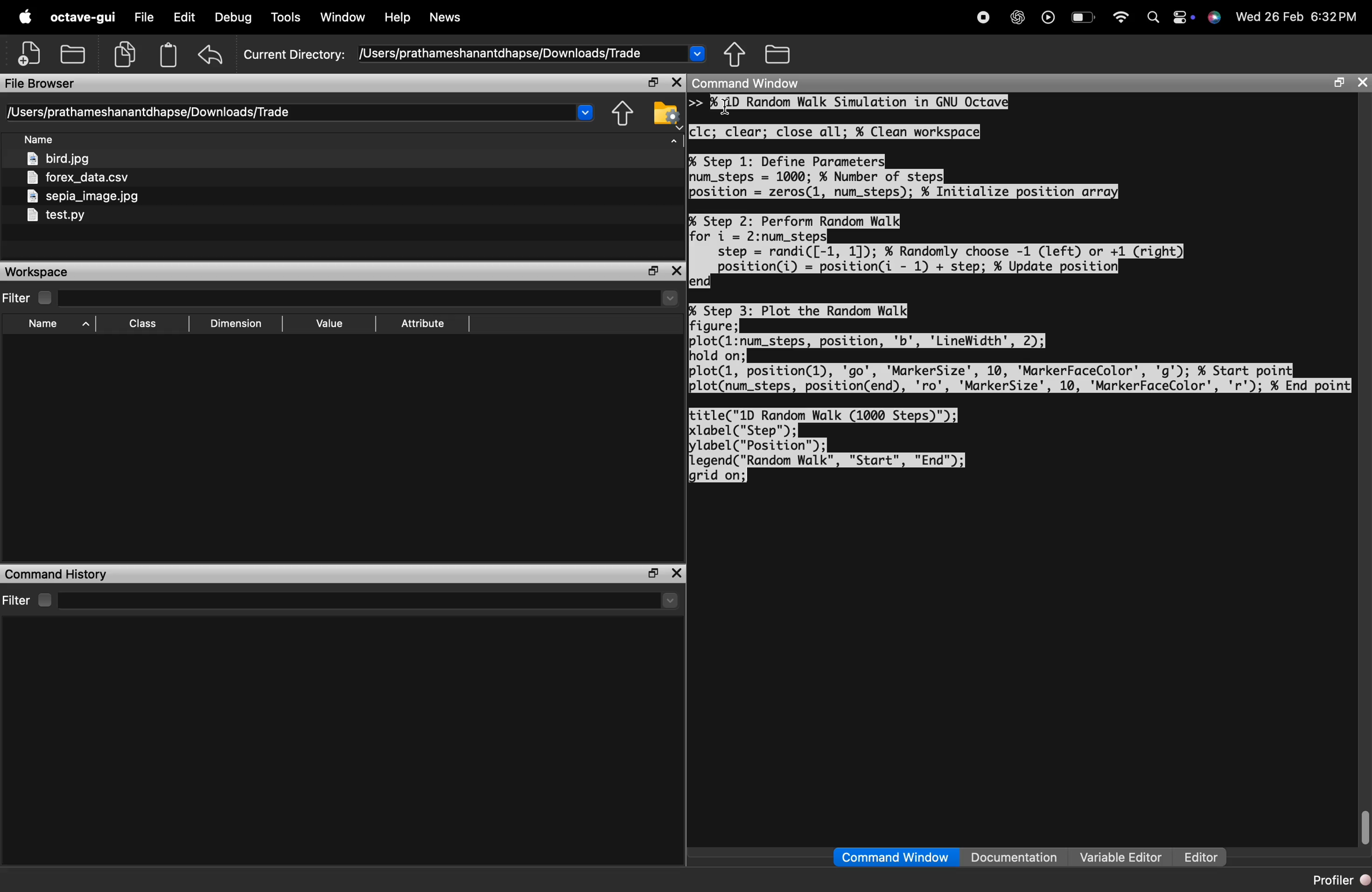  I want to click on select directory, so click(373, 600).